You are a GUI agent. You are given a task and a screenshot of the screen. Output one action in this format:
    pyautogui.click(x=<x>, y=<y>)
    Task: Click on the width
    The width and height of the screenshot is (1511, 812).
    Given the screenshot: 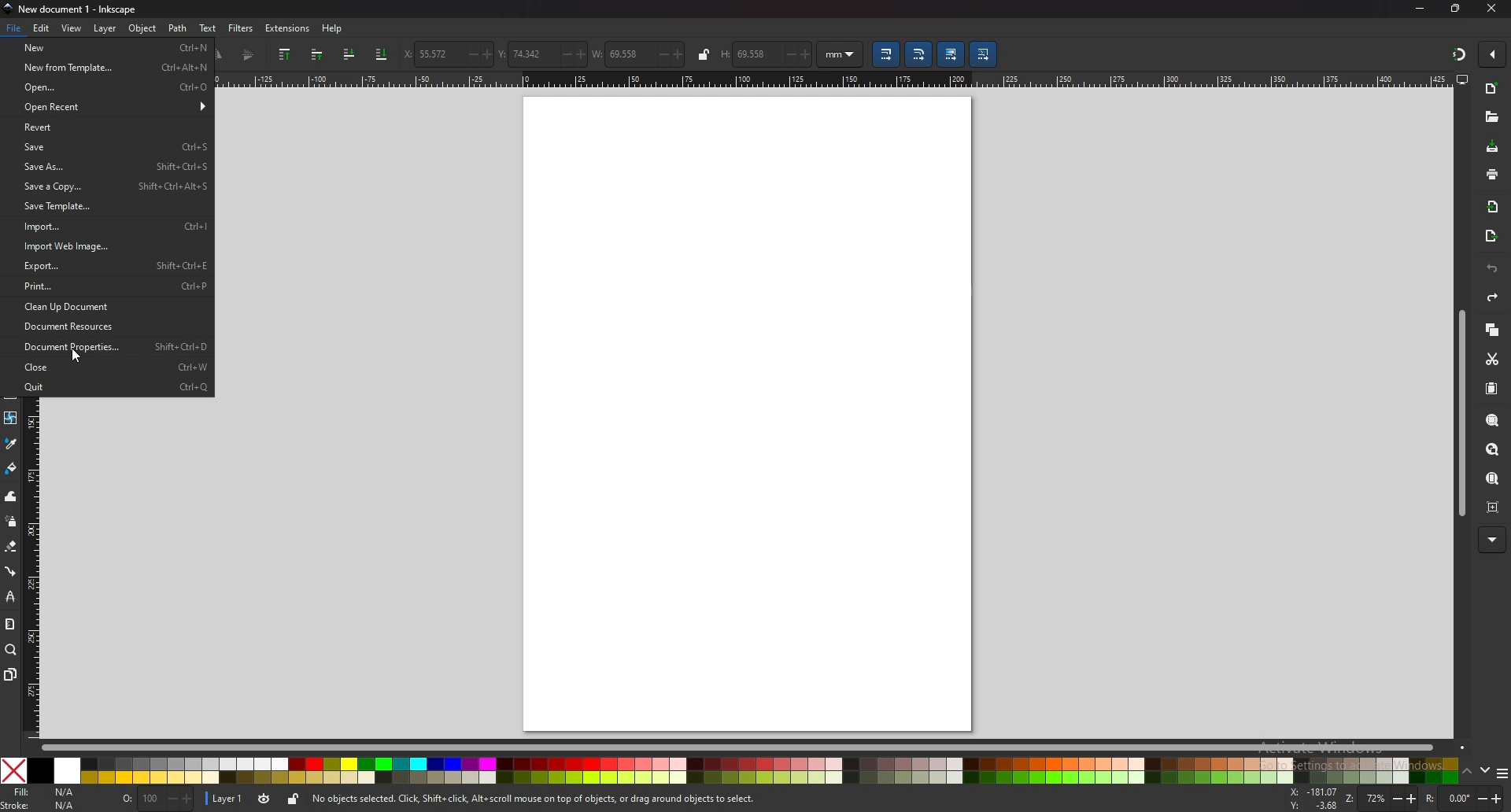 What is the action you would take?
    pyautogui.click(x=618, y=55)
    